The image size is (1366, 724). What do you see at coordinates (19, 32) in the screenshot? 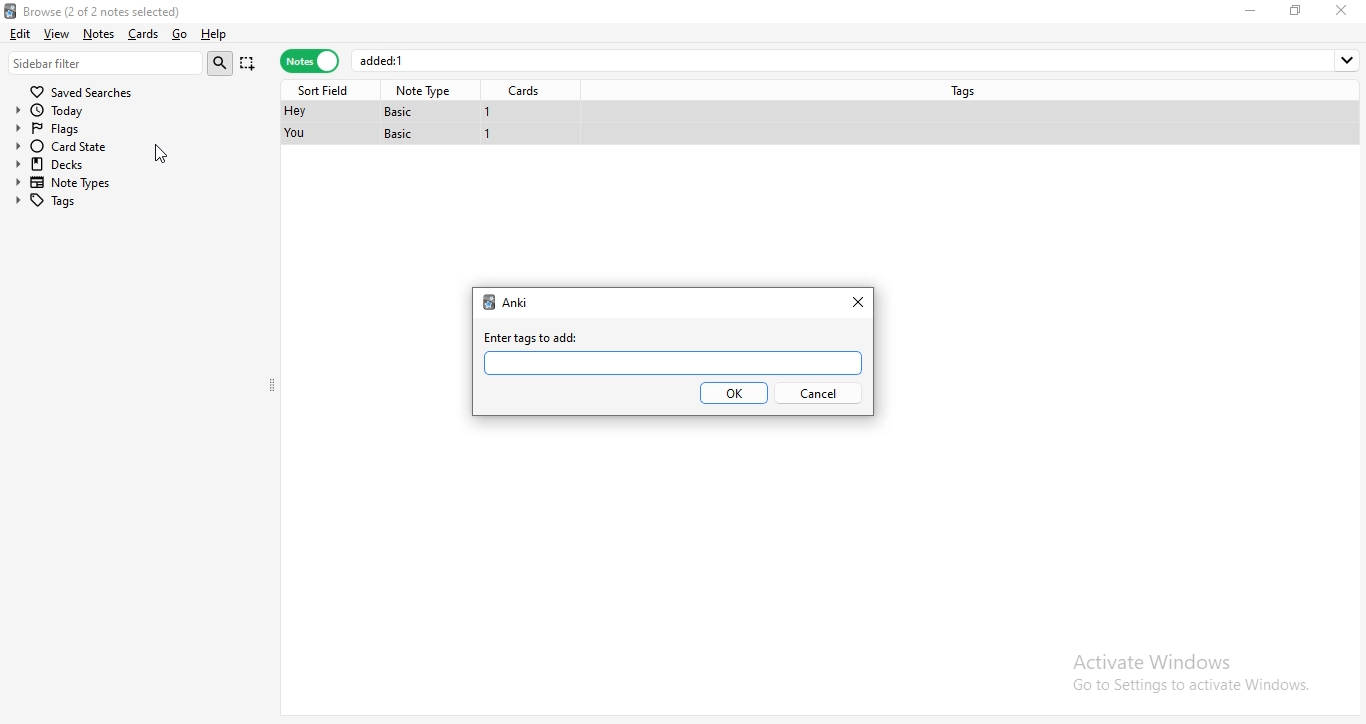
I see `edit` at bounding box center [19, 32].